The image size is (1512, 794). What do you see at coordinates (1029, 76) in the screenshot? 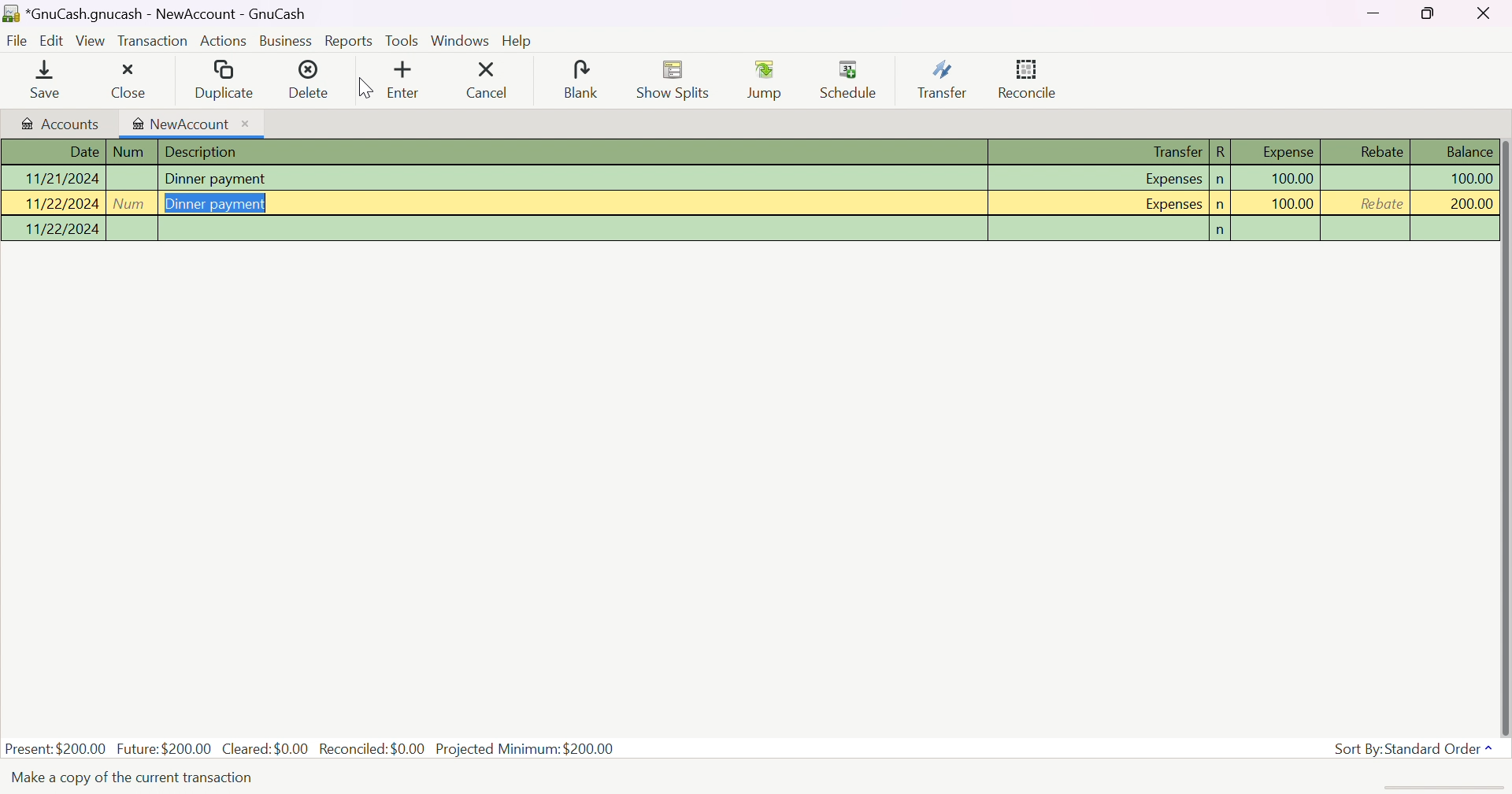
I see `Reconcile` at bounding box center [1029, 76].